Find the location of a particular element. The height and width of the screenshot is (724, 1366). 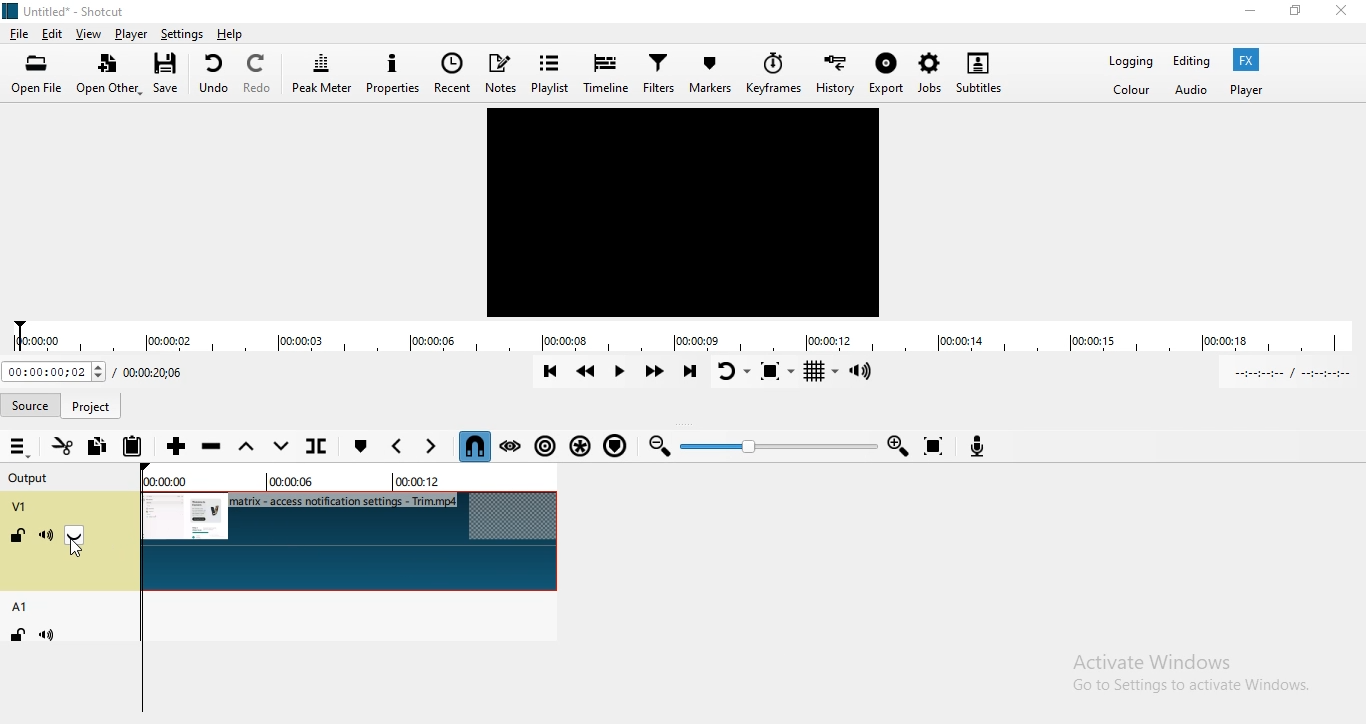

Snap is located at coordinates (475, 446).